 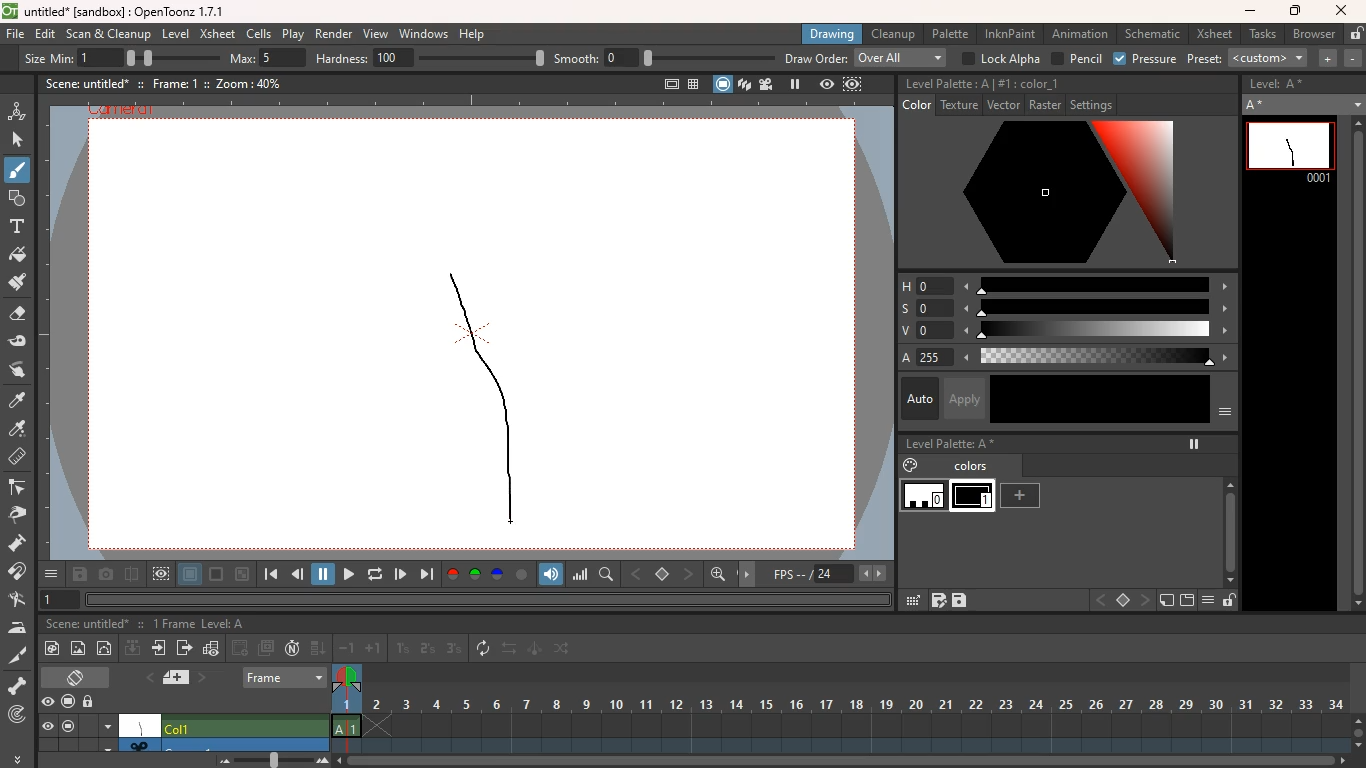 What do you see at coordinates (19, 140) in the screenshot?
I see `select` at bounding box center [19, 140].